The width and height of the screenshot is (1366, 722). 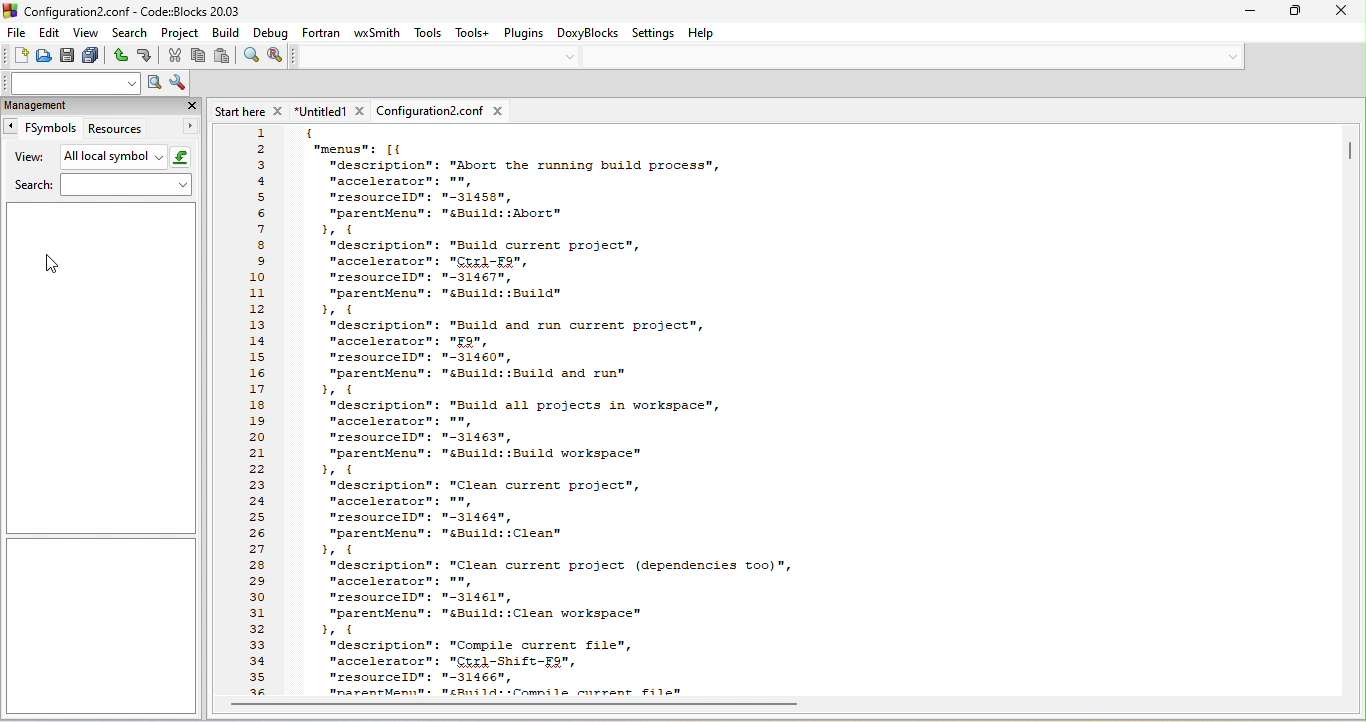 I want to click on down, so click(x=1234, y=58).